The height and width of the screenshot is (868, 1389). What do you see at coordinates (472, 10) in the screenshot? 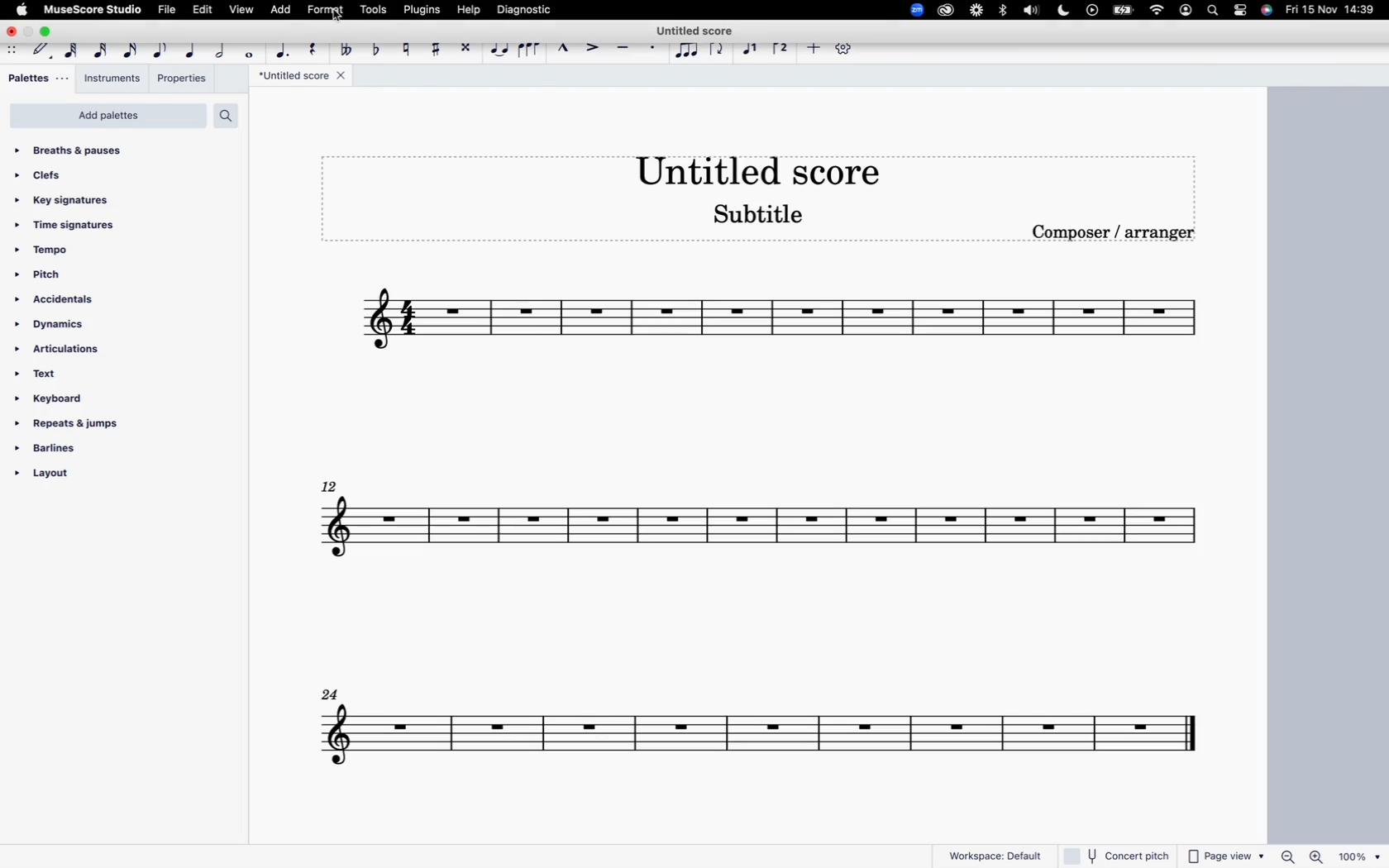
I see `help` at bounding box center [472, 10].